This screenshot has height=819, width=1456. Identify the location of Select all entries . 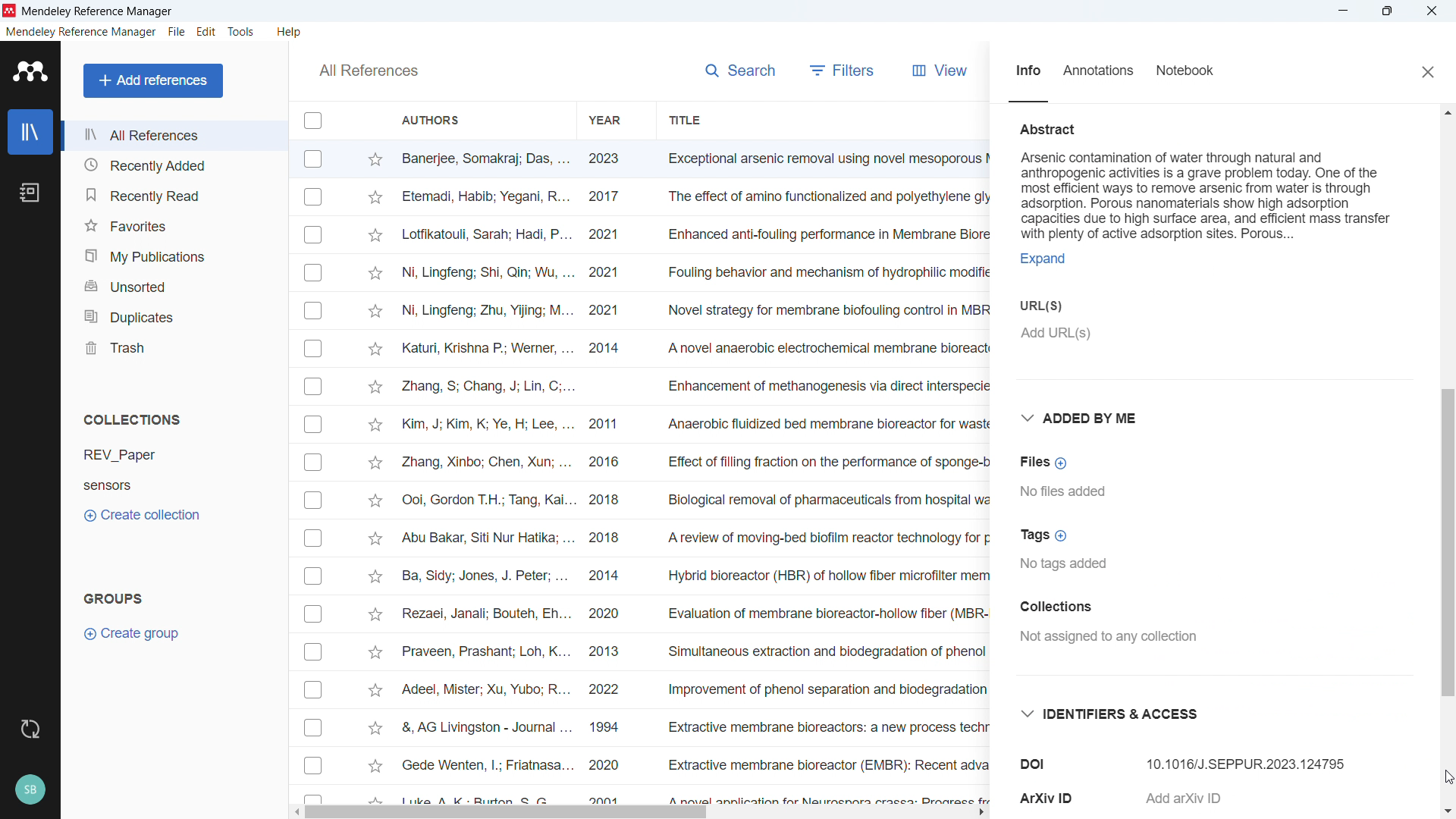
(313, 121).